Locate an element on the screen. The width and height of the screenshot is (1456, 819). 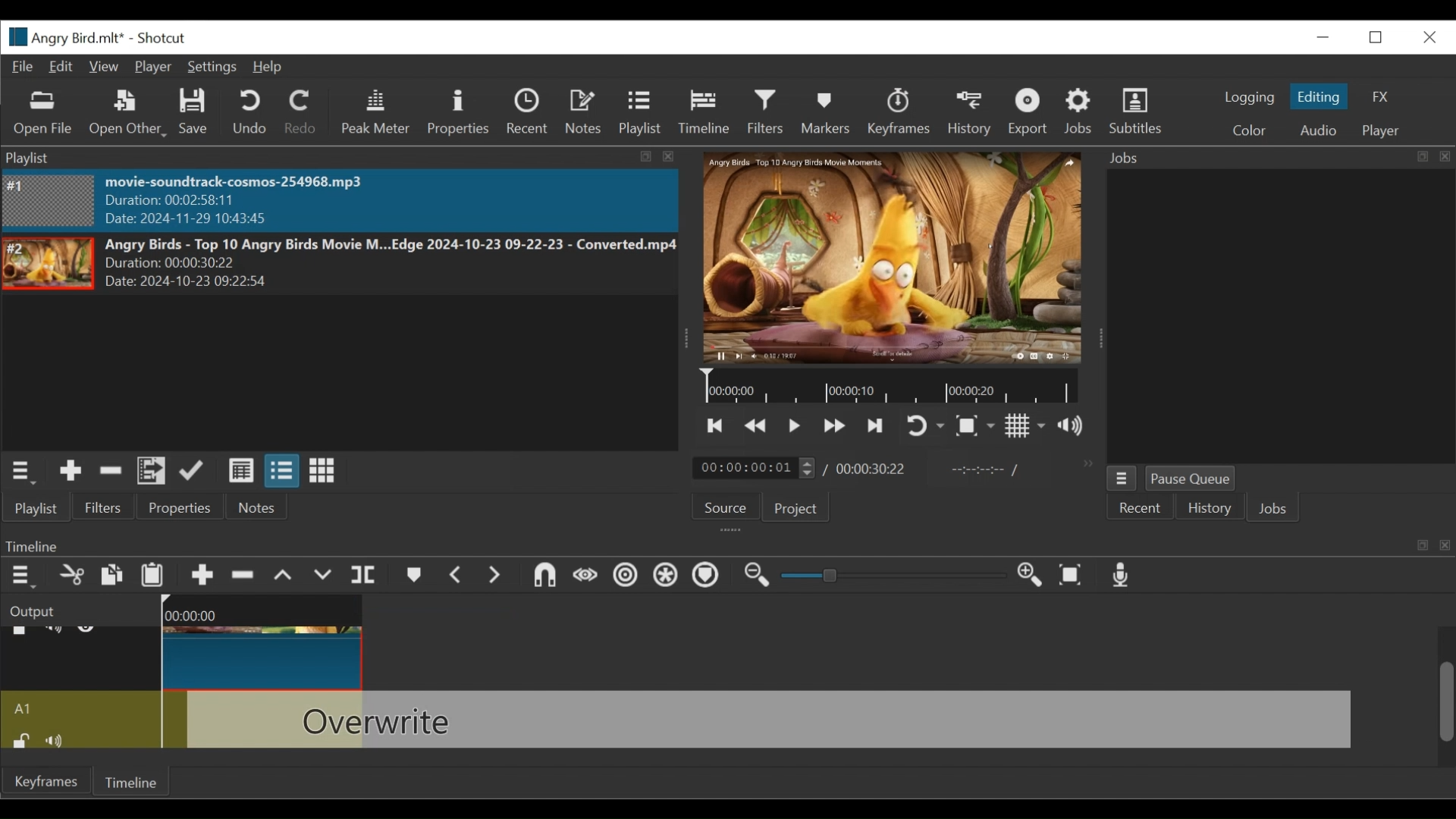
Copy is located at coordinates (115, 576).